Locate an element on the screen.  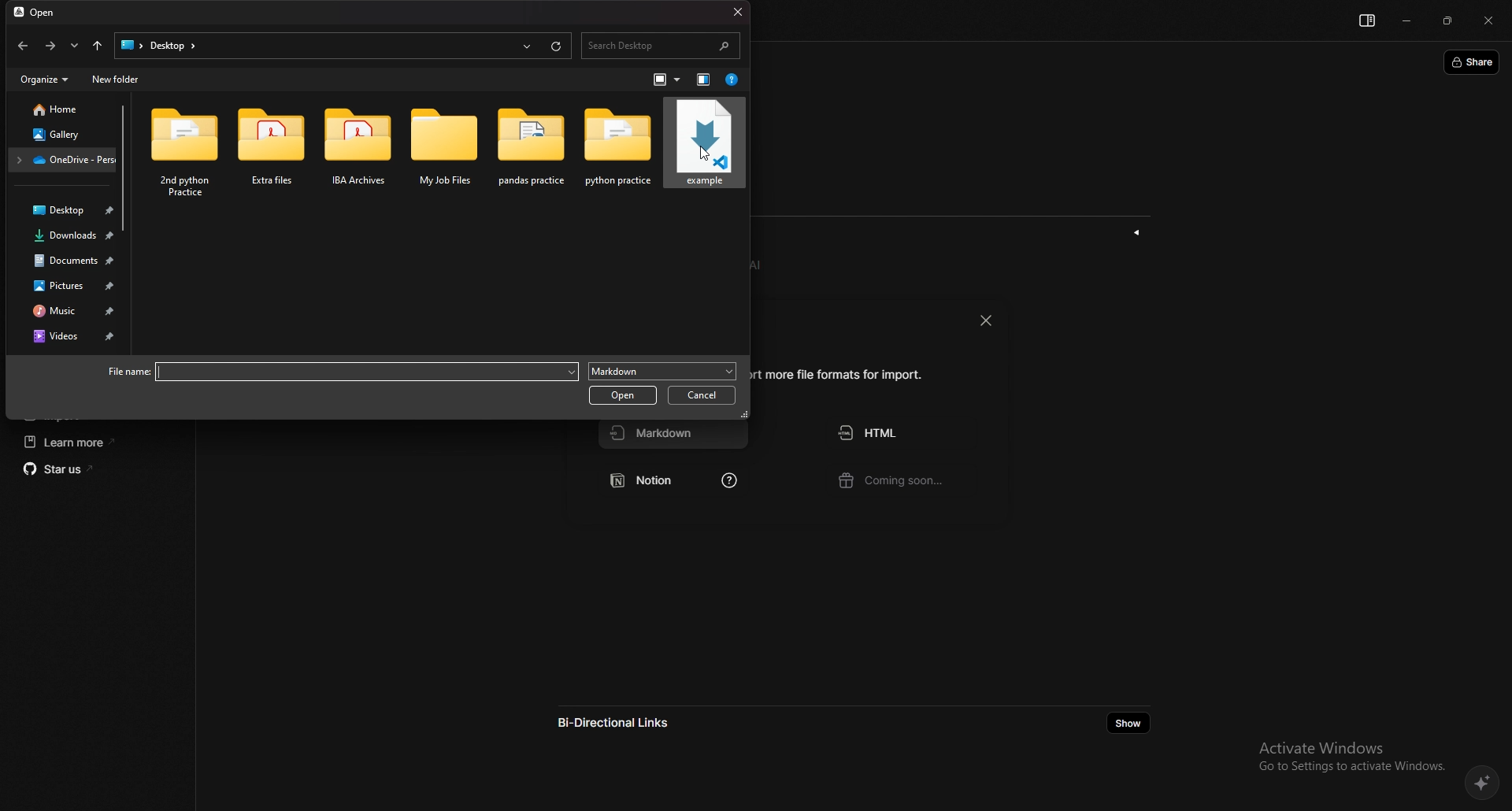
home is located at coordinates (56, 109).